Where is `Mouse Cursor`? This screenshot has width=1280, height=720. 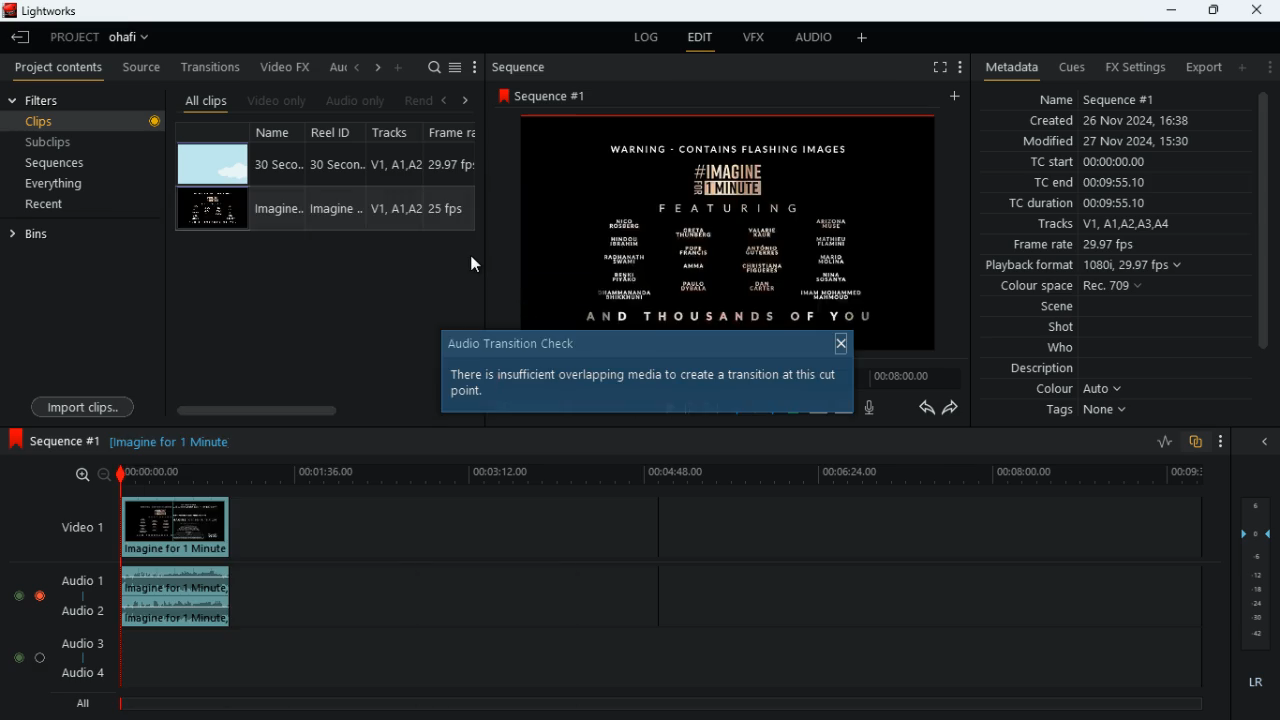 Mouse Cursor is located at coordinates (479, 264).